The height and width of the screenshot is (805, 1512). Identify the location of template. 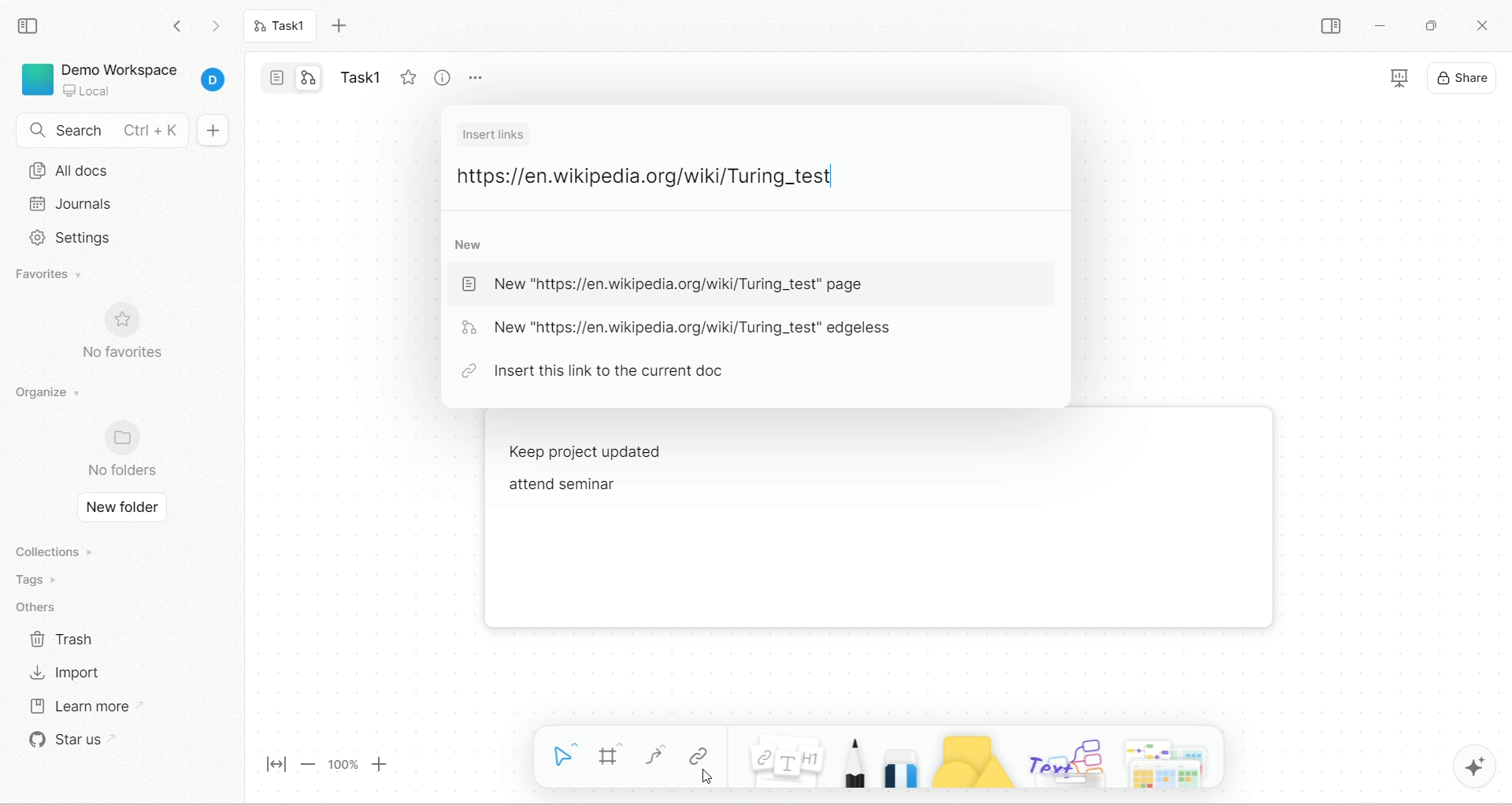
(1170, 762).